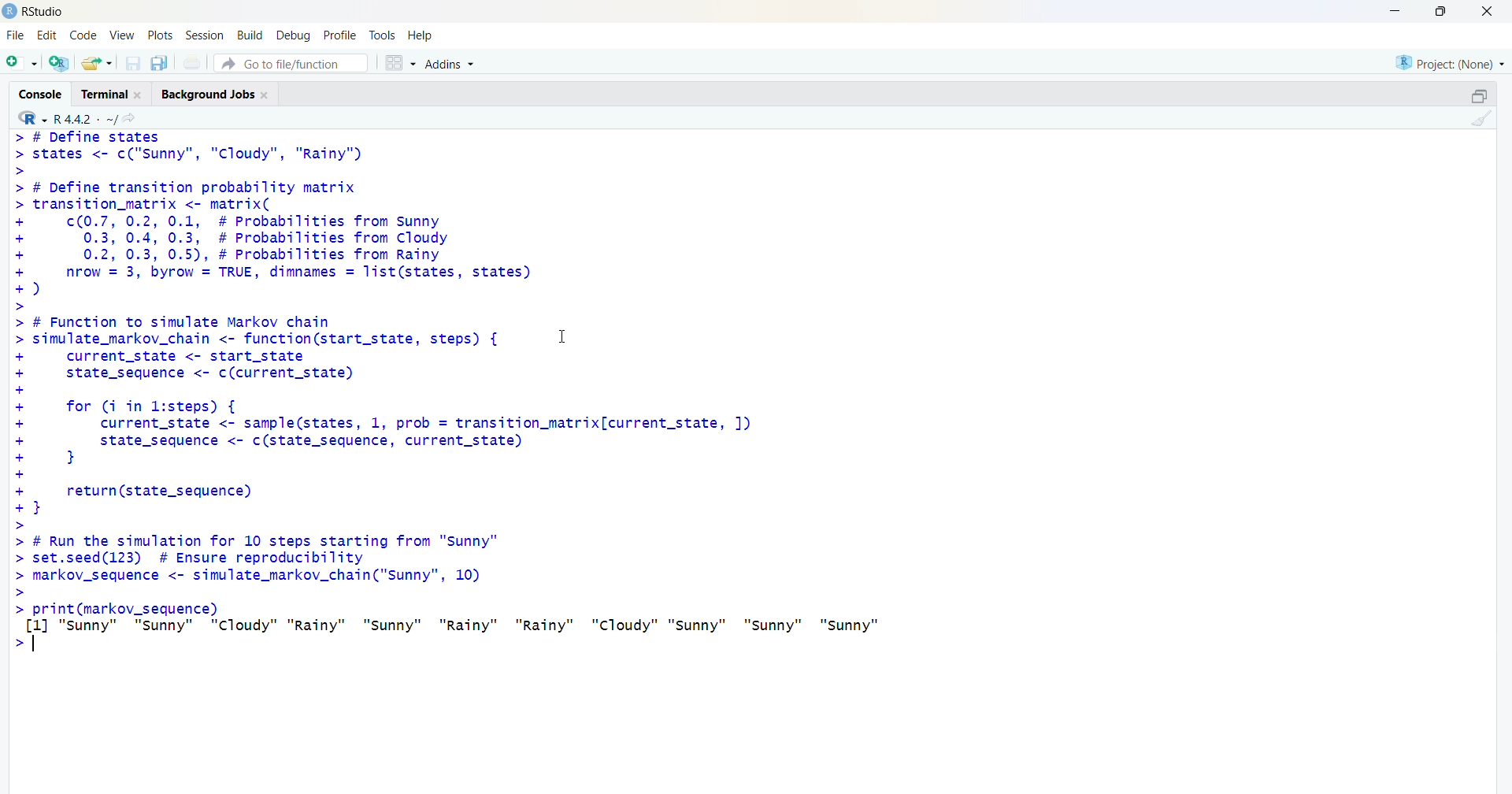 Image resolution: width=1512 pixels, height=794 pixels. What do you see at coordinates (130, 608) in the screenshot?
I see `> print(markov_sequence)` at bounding box center [130, 608].